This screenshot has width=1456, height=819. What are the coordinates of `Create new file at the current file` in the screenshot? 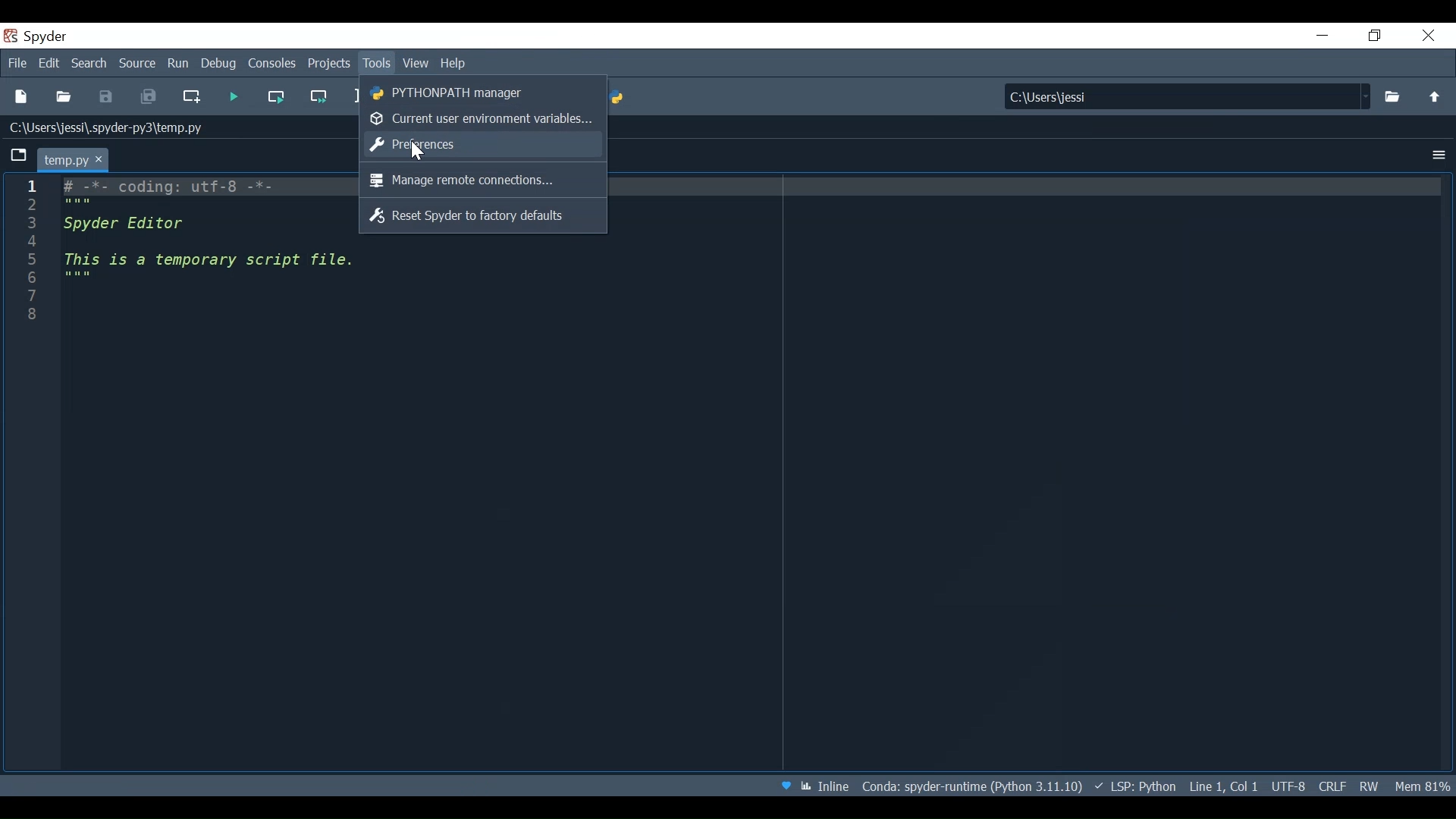 It's located at (192, 97).